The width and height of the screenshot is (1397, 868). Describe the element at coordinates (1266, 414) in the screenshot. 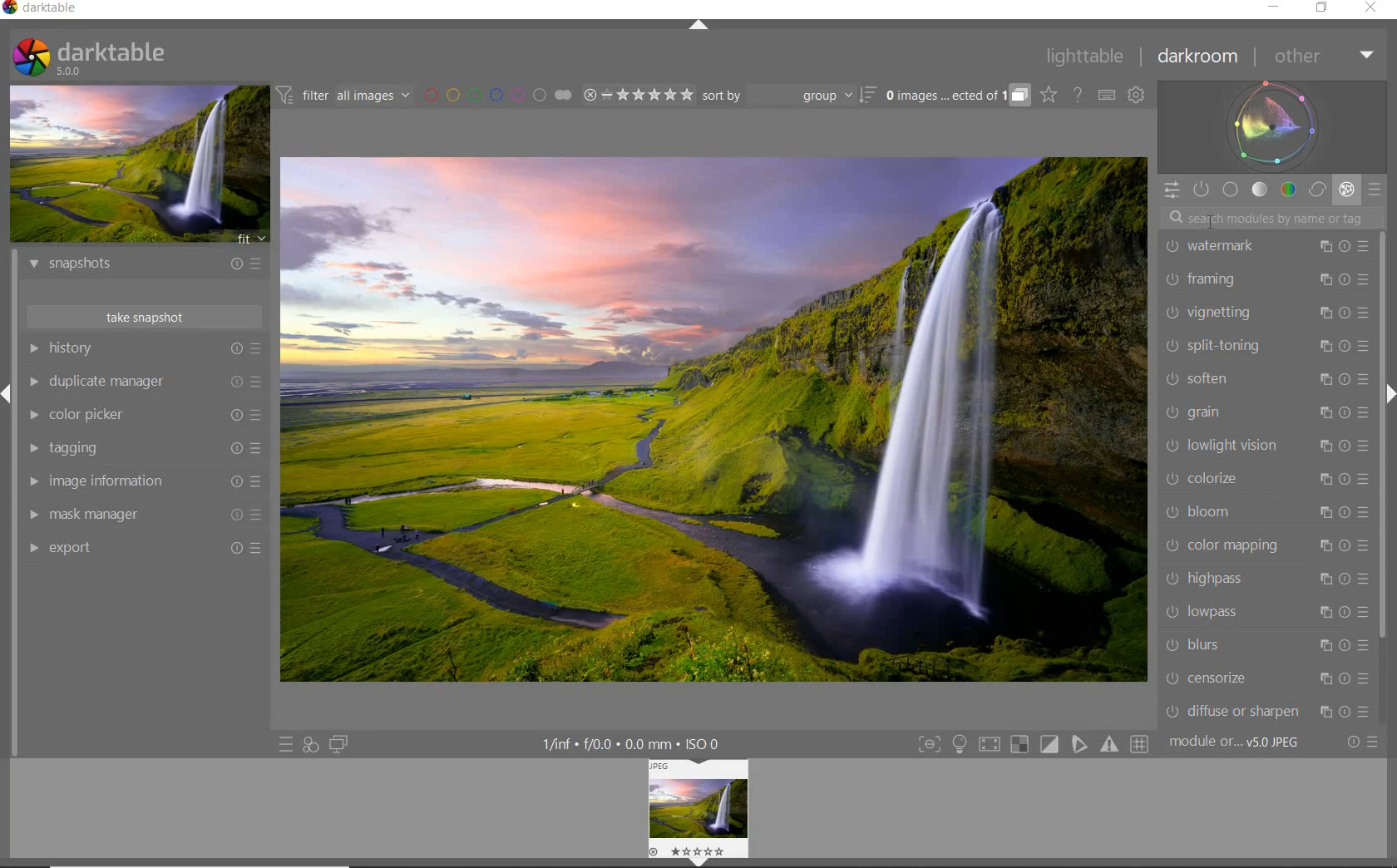

I see `grain` at that location.